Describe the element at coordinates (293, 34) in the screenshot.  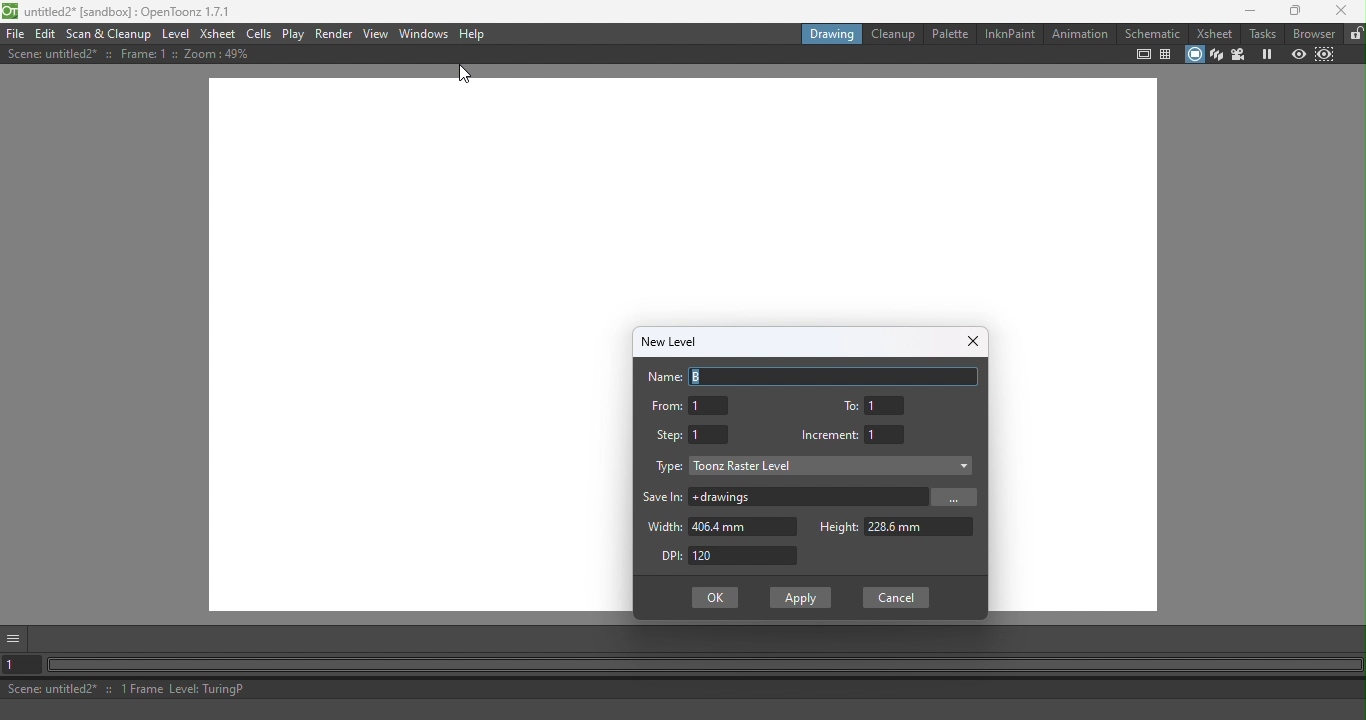
I see `Play` at that location.